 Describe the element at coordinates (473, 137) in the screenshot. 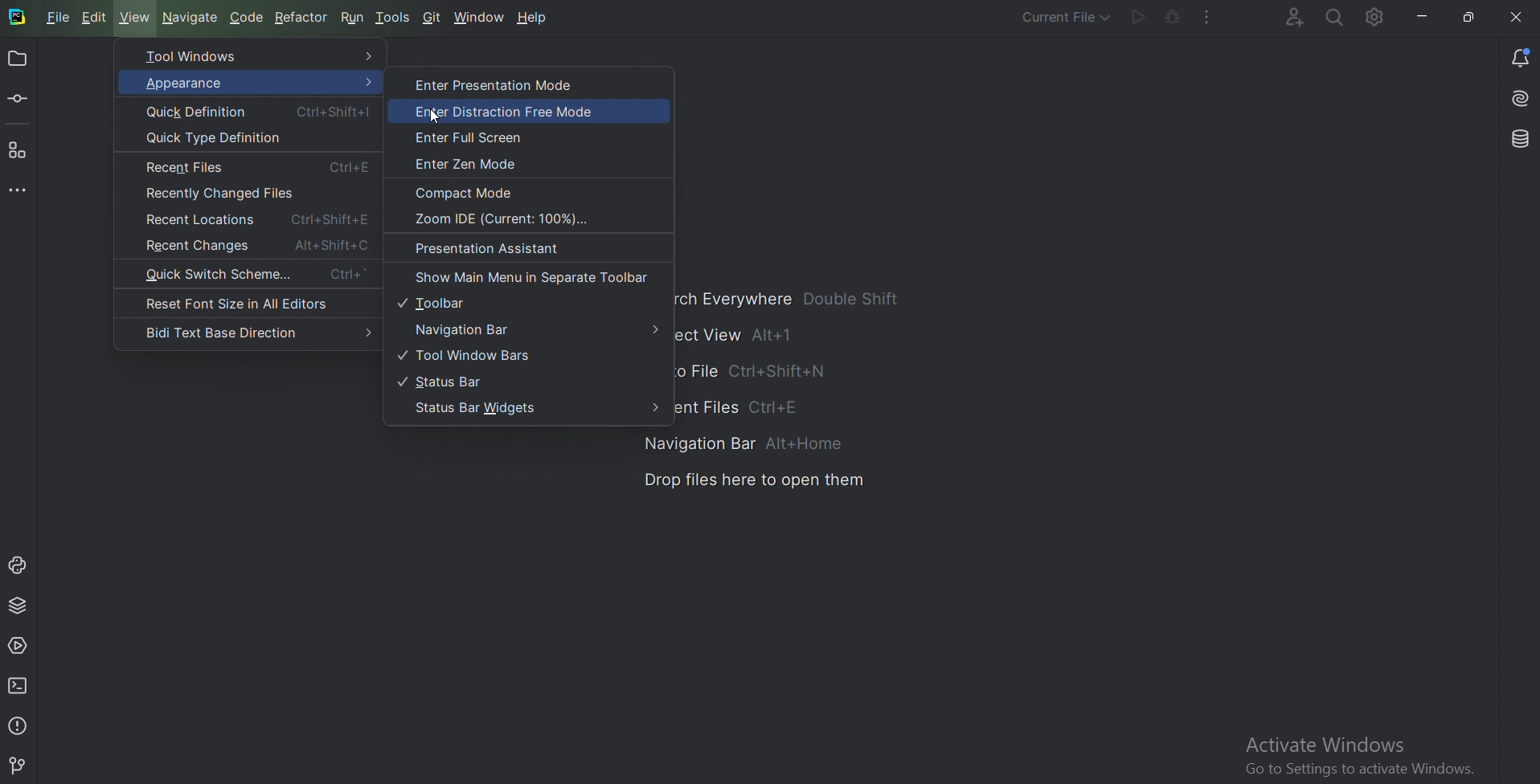

I see `Enter full screen` at that location.